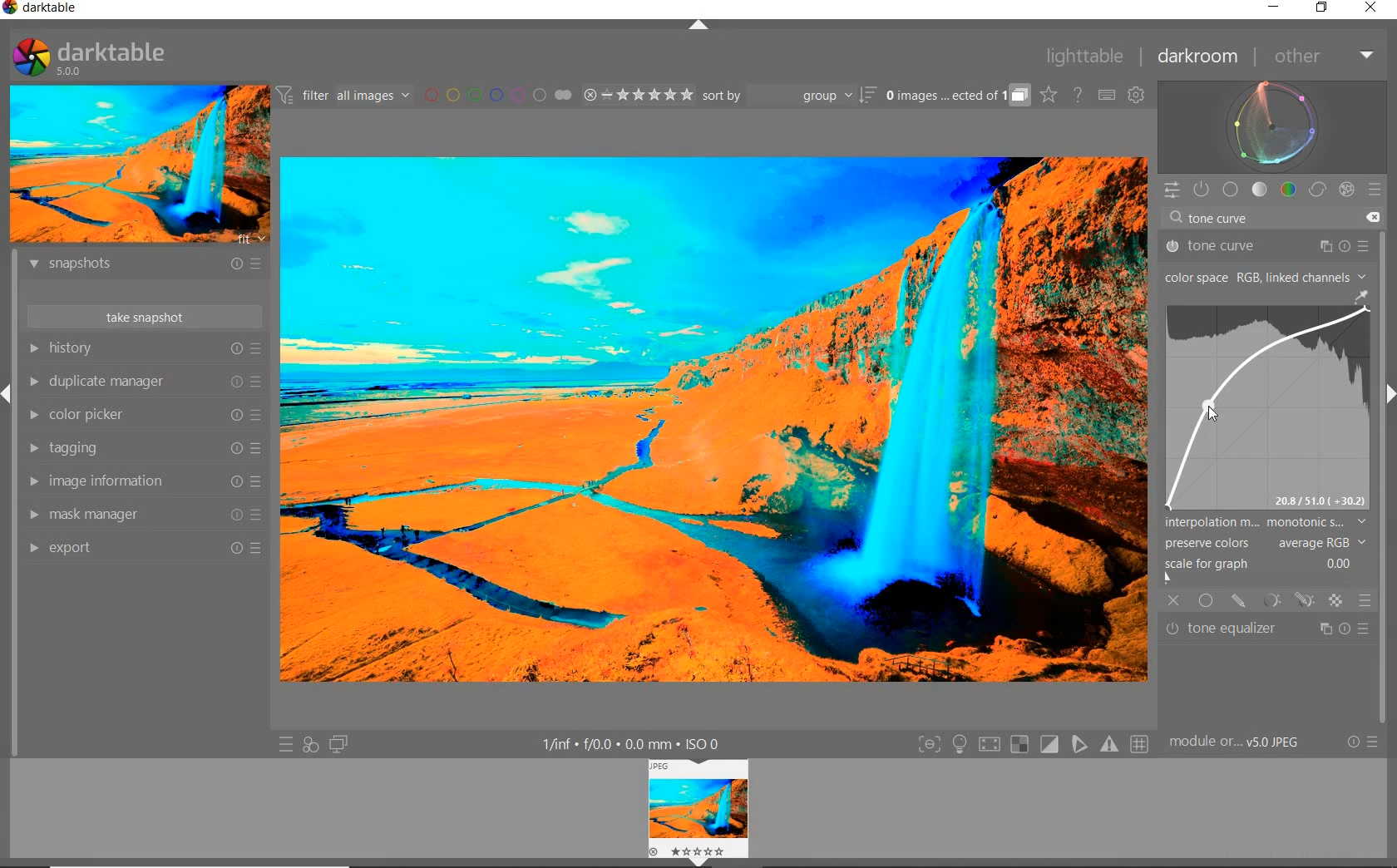 The image size is (1397, 868). What do you see at coordinates (1049, 95) in the screenshot?
I see `CLICK TO CHANGE THE OVERLAYS SHOWN ON THUMBNAILS` at bounding box center [1049, 95].